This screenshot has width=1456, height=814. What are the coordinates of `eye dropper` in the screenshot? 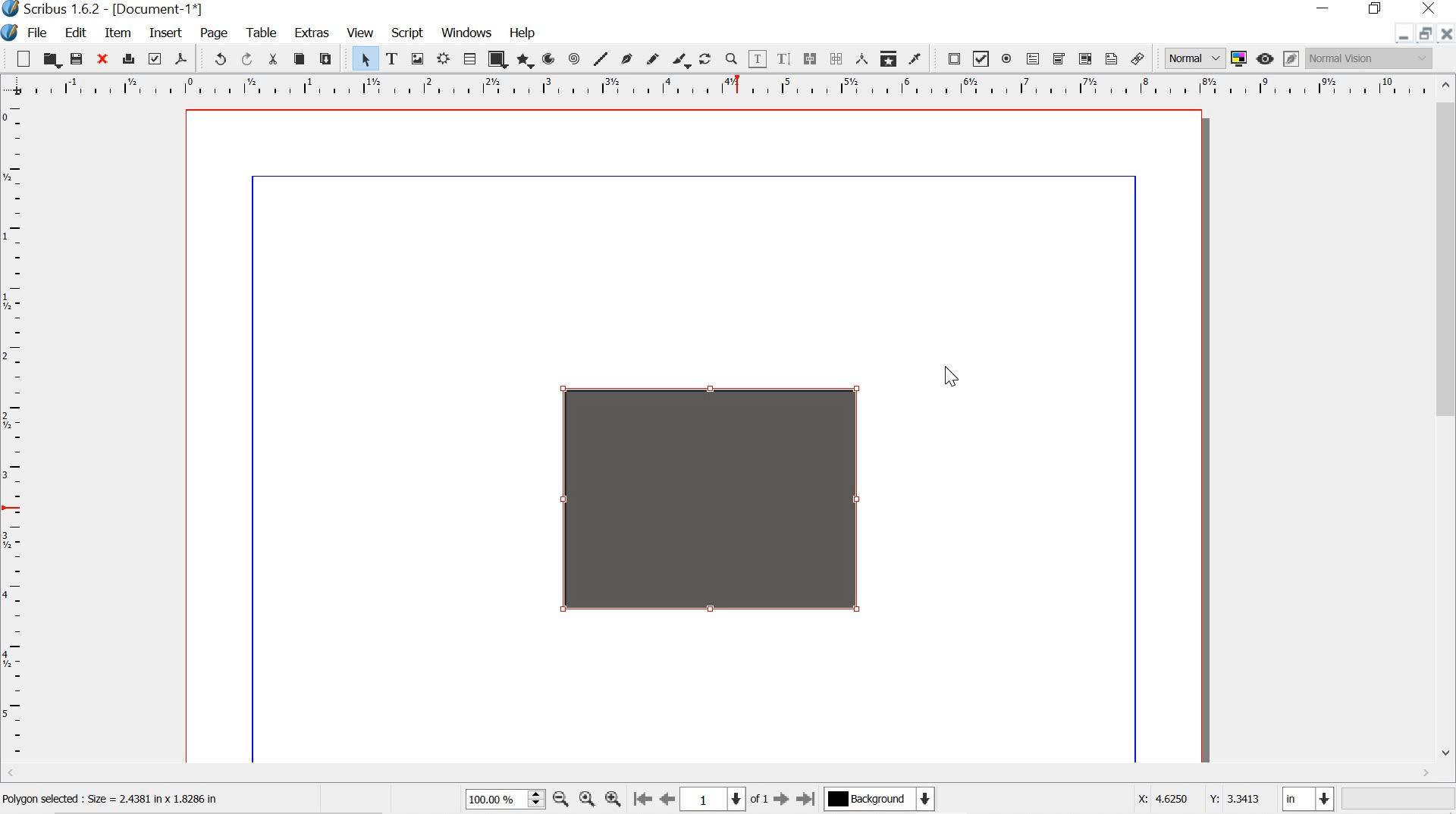 It's located at (915, 58).